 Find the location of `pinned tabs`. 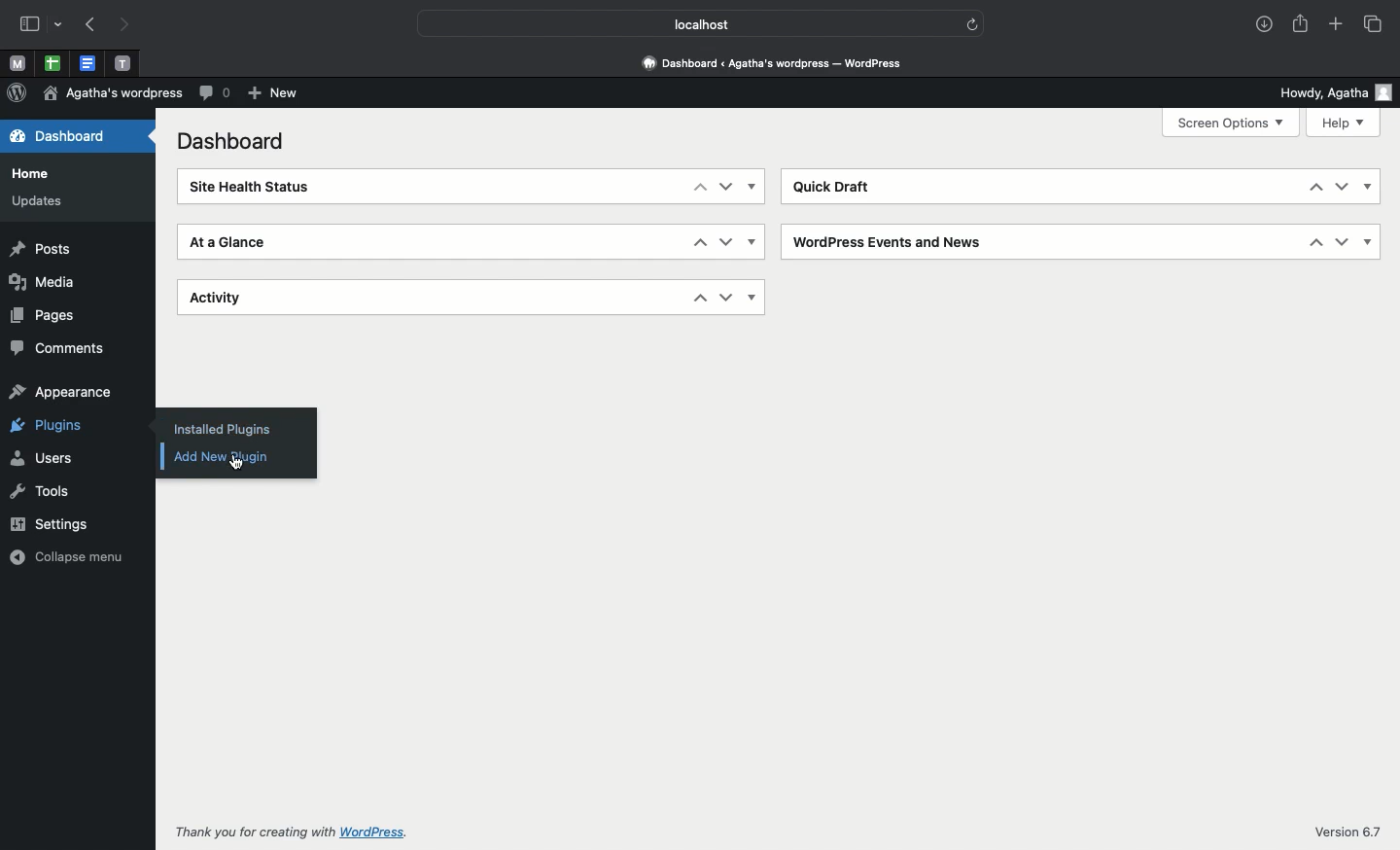

pinned tabs is located at coordinates (53, 63).